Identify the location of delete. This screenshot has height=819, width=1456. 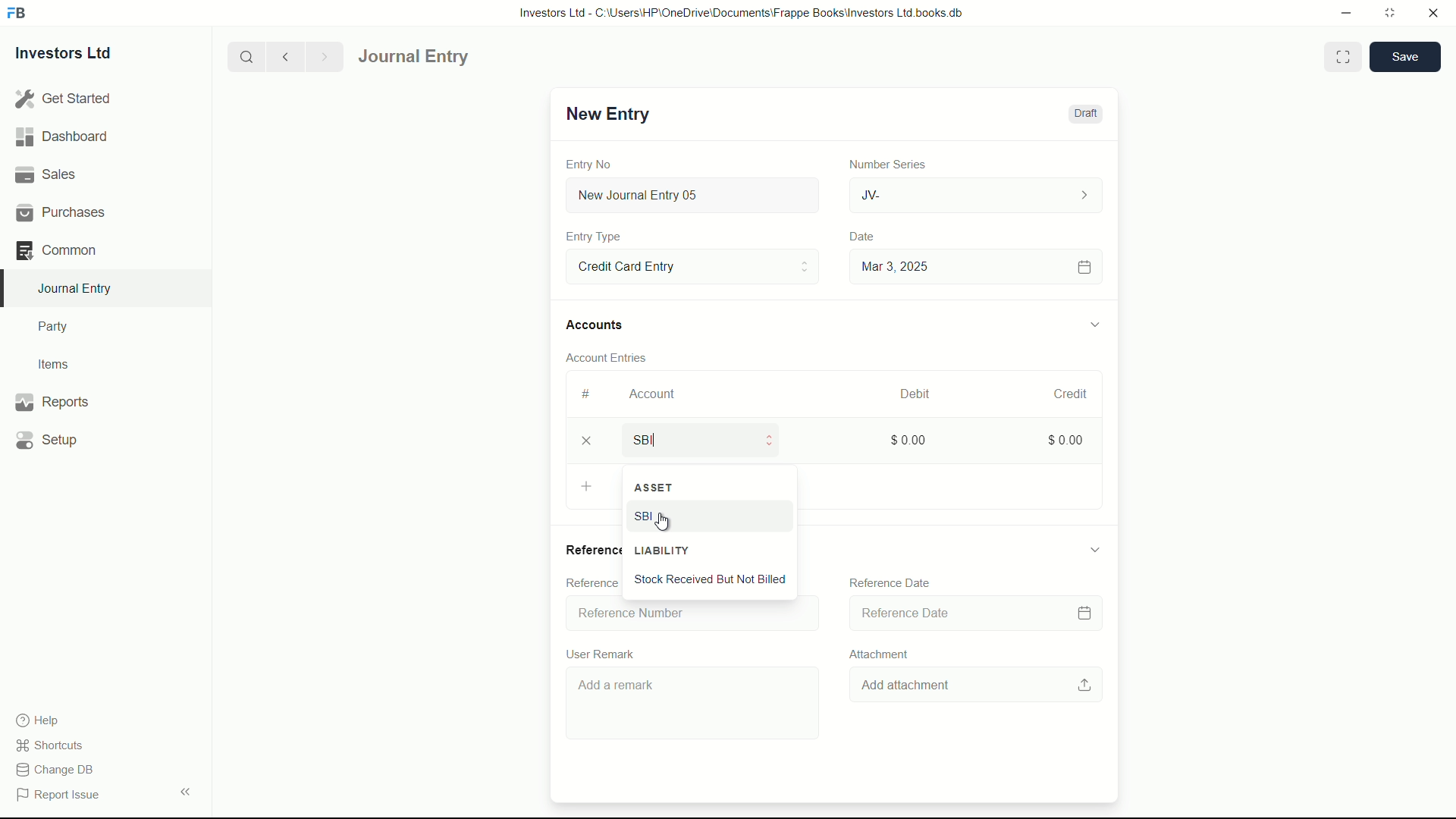
(585, 443).